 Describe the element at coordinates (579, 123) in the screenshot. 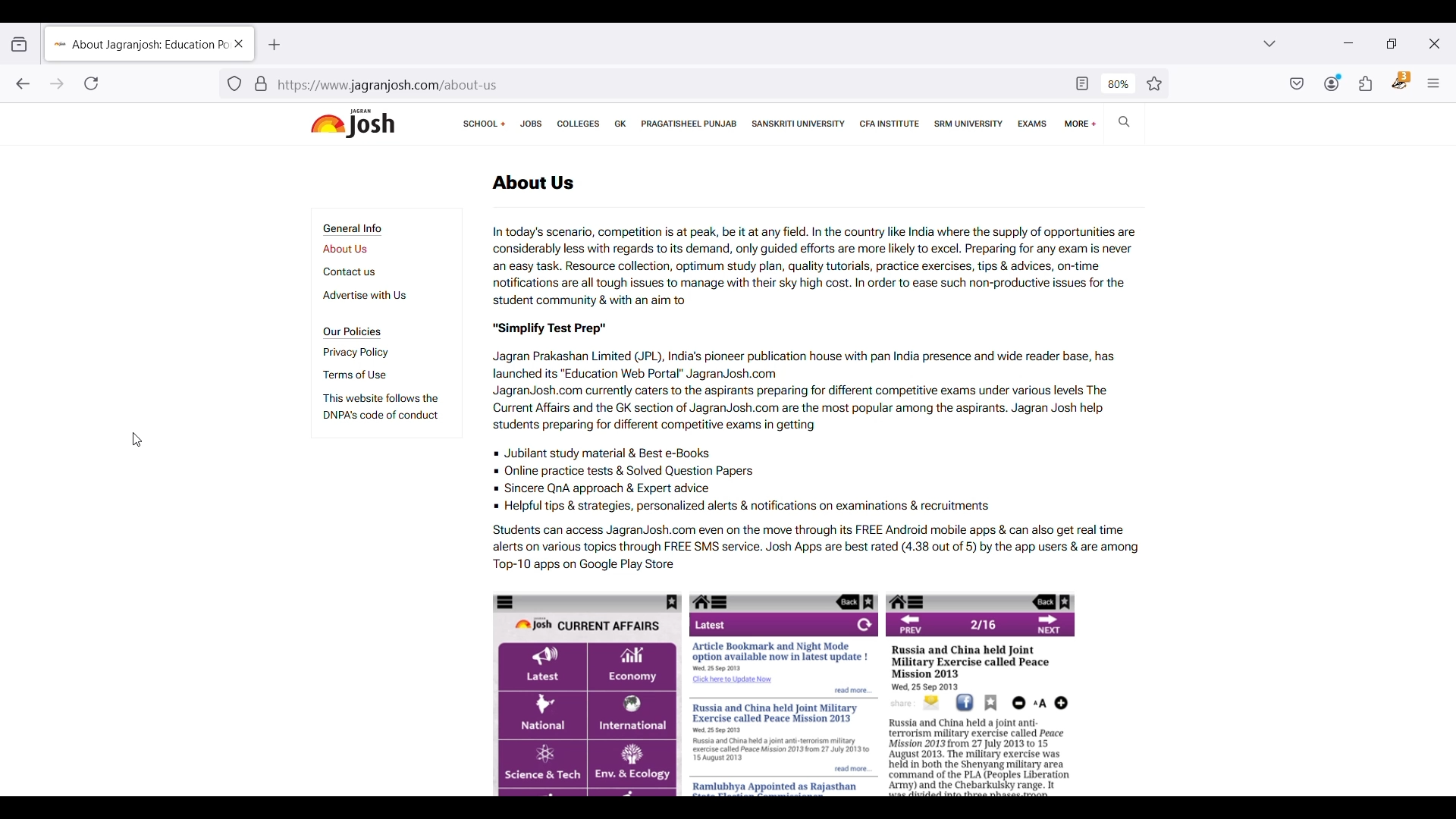

I see `Colleges page` at that location.